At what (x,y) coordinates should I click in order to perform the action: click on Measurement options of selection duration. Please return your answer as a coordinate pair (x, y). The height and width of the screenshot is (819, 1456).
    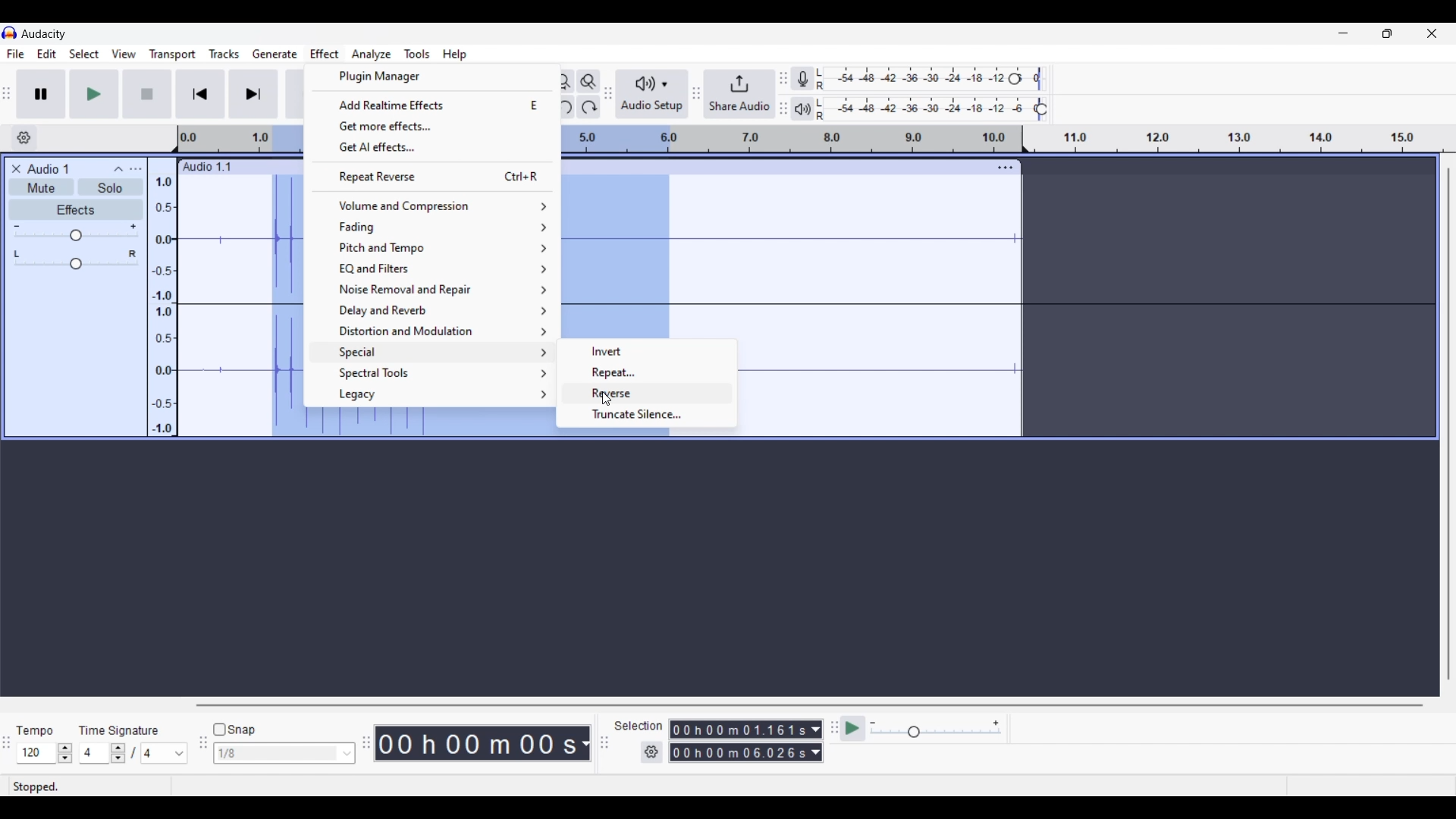
    Looking at the image, I should click on (815, 742).